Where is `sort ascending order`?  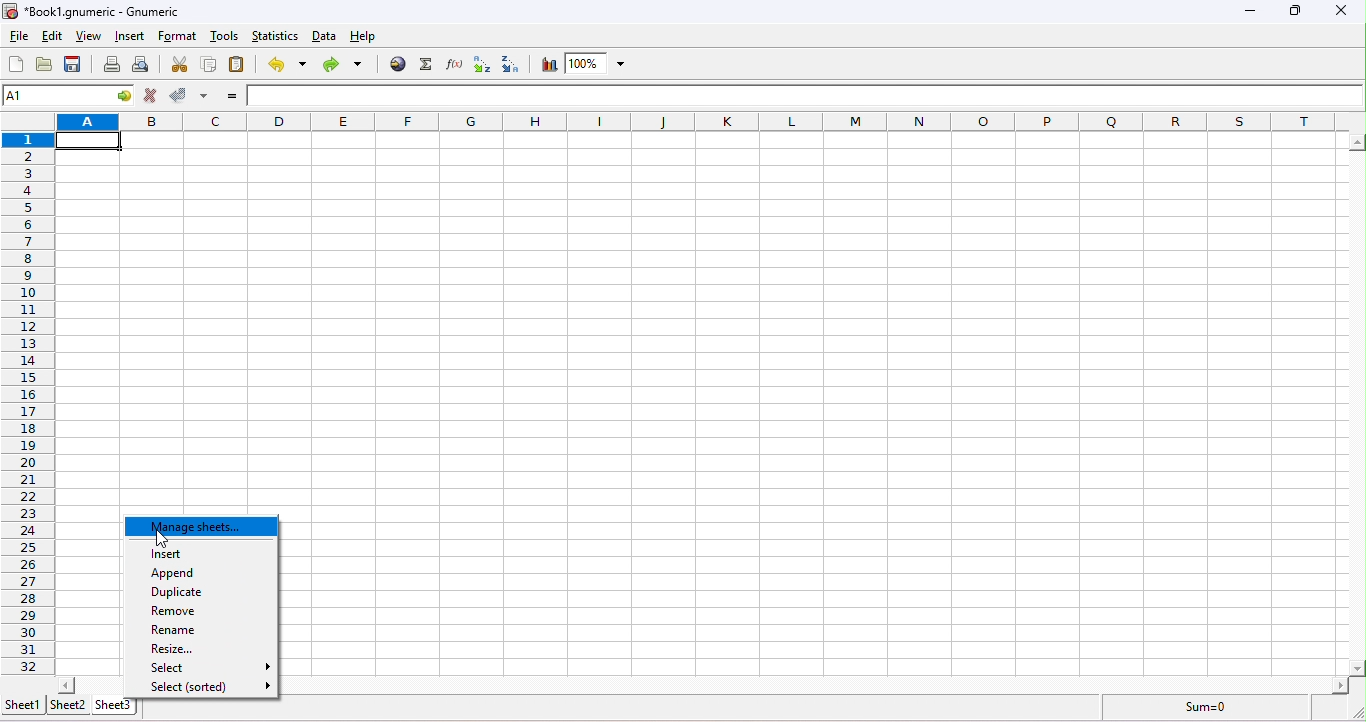 sort ascending order is located at coordinates (479, 63).